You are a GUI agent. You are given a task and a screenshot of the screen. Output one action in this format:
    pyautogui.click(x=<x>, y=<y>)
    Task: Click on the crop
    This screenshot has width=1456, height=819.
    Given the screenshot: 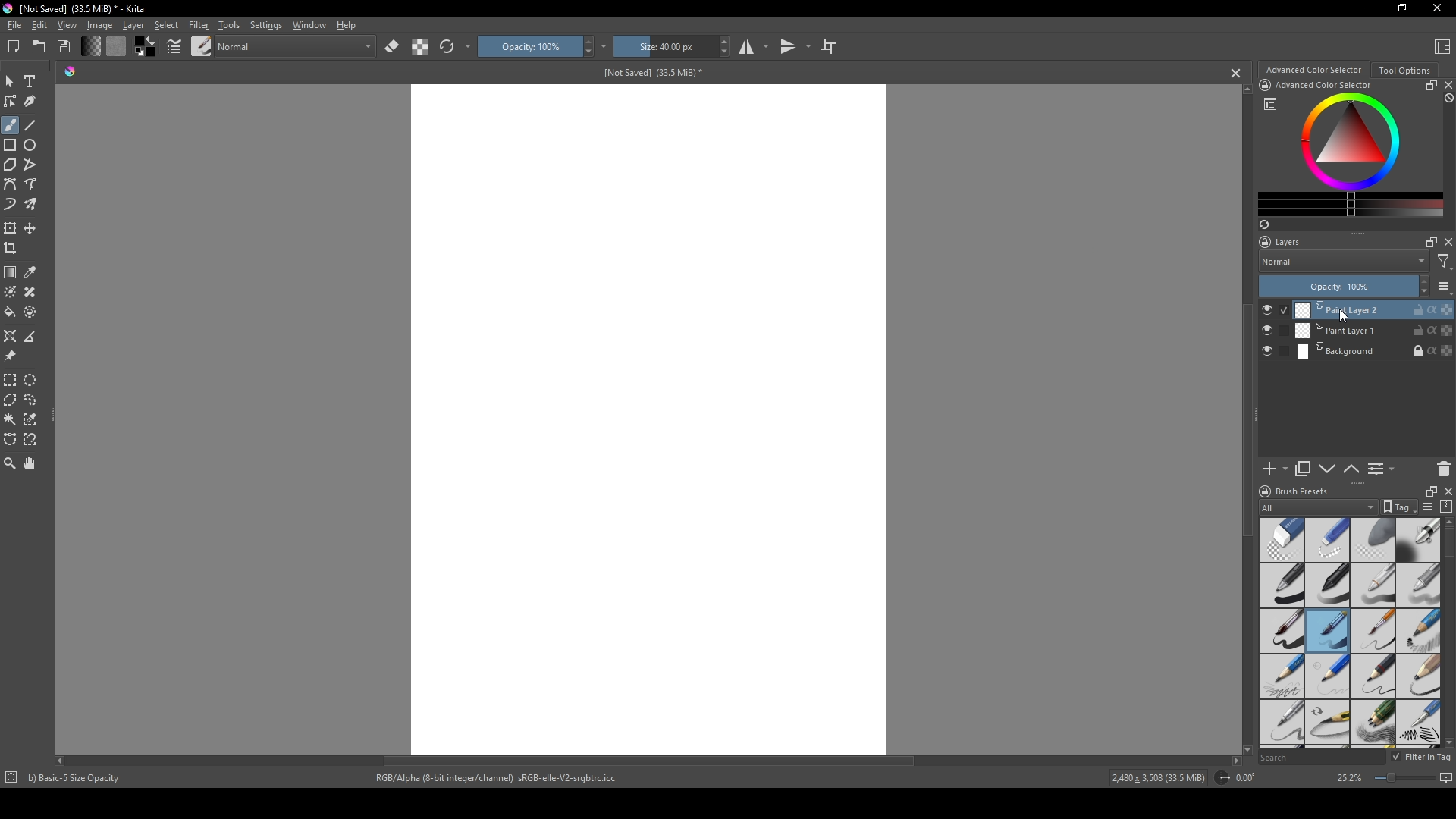 What is the action you would take?
    pyautogui.click(x=828, y=45)
    